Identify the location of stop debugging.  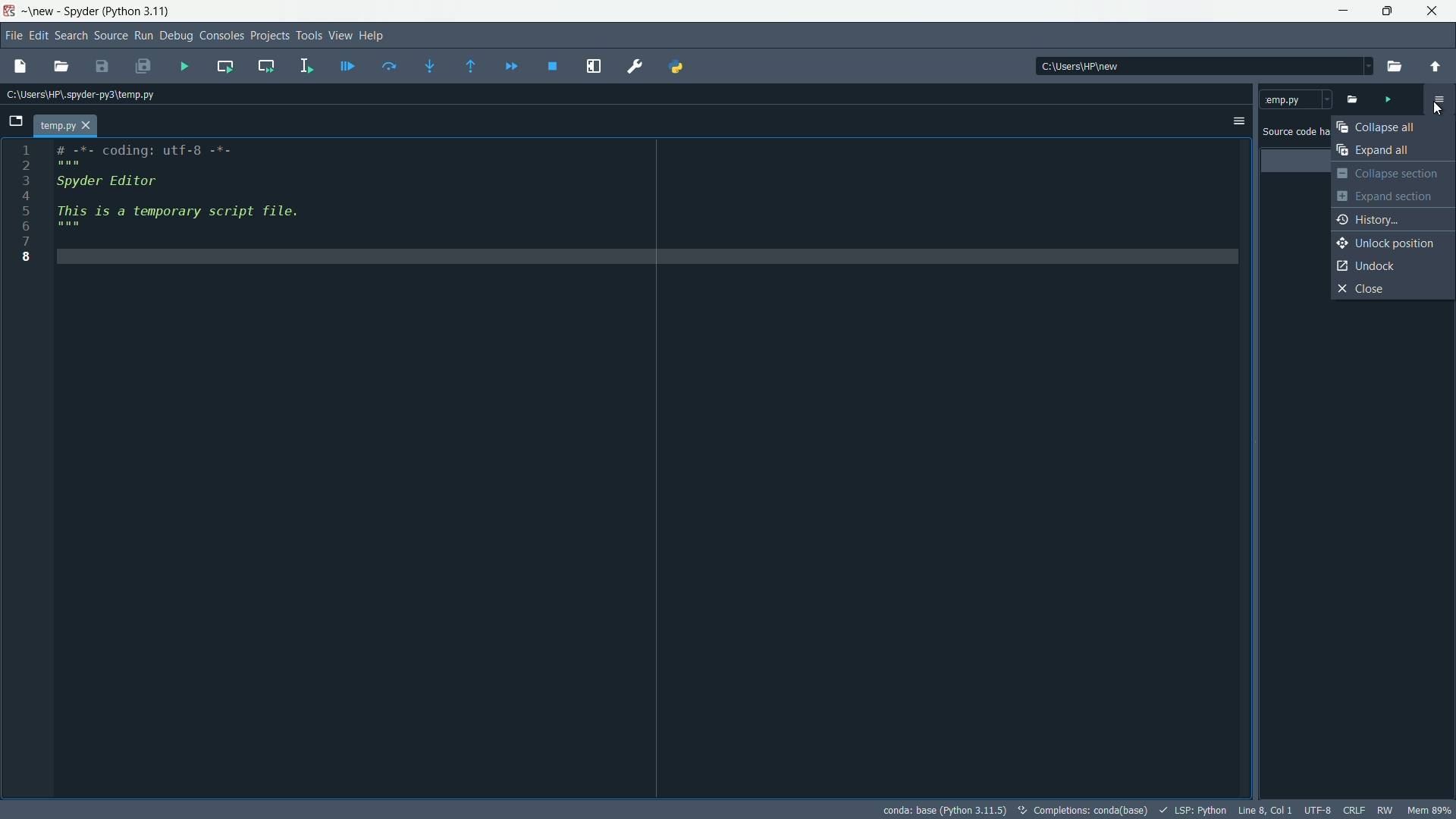
(554, 66).